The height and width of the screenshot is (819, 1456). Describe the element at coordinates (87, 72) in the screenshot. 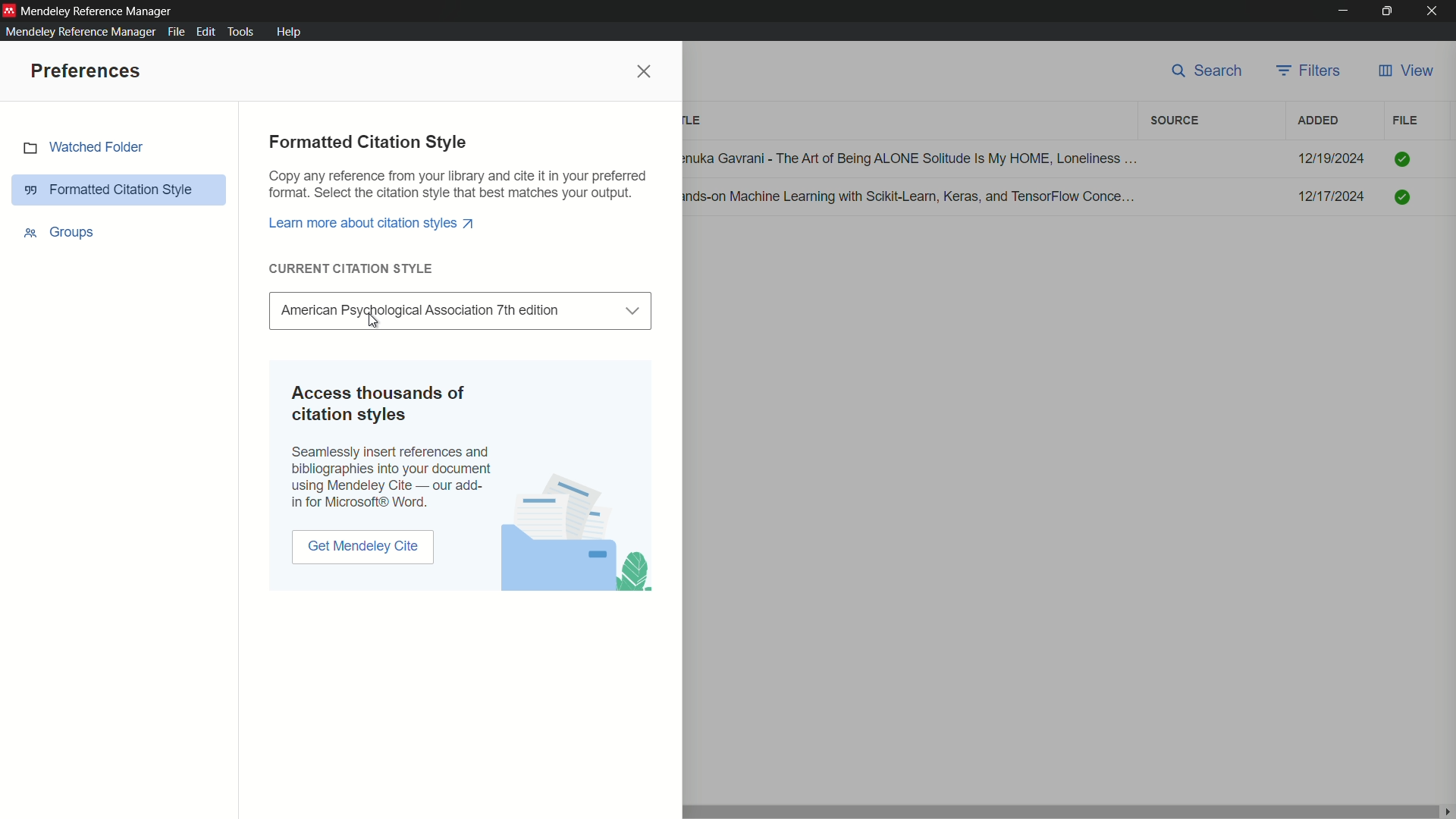

I see `preferences` at that location.